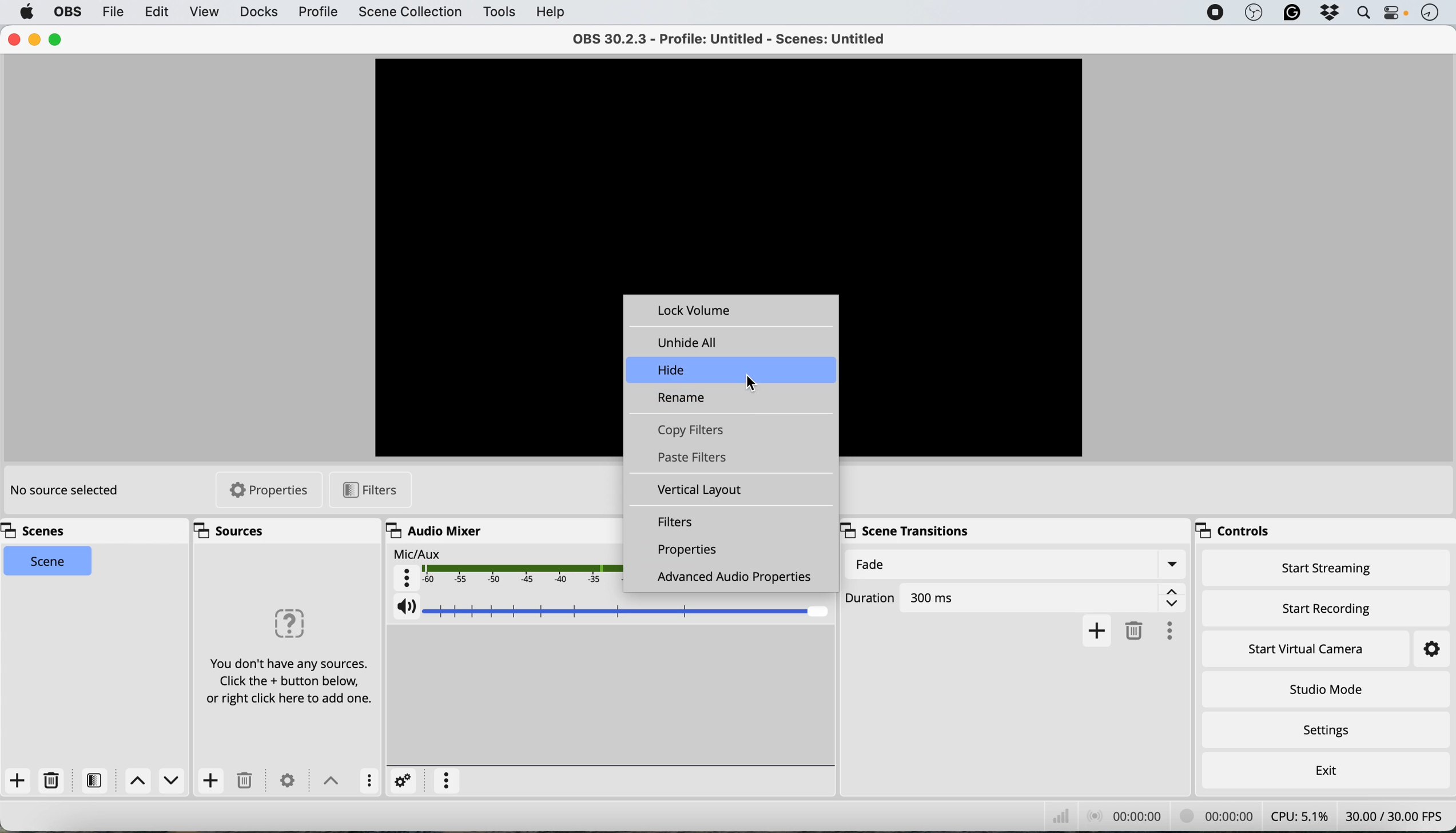  Describe the element at coordinates (25, 13) in the screenshot. I see `system logo` at that location.